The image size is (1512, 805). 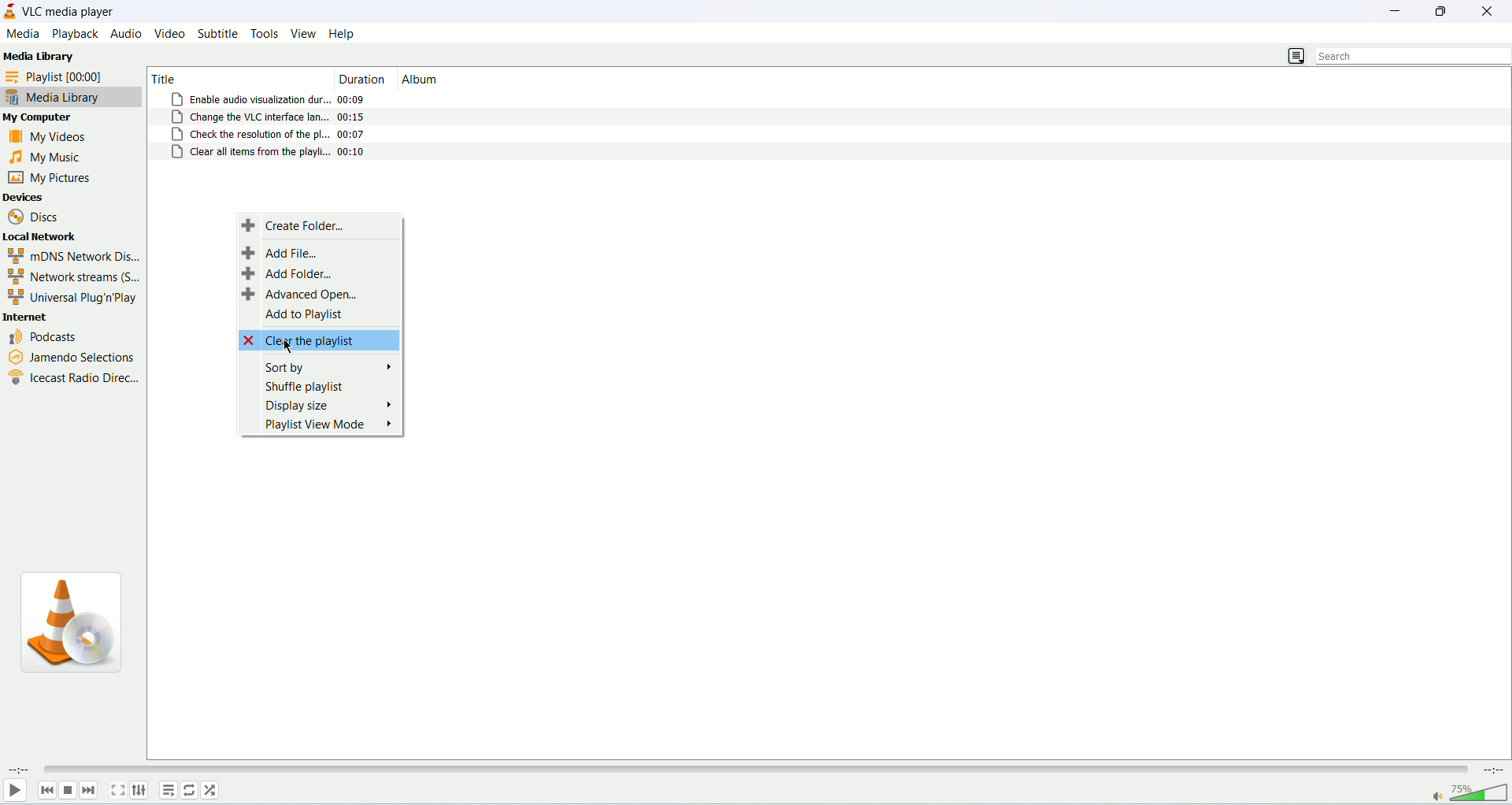 What do you see at coordinates (291, 273) in the screenshot?
I see `add folders` at bounding box center [291, 273].